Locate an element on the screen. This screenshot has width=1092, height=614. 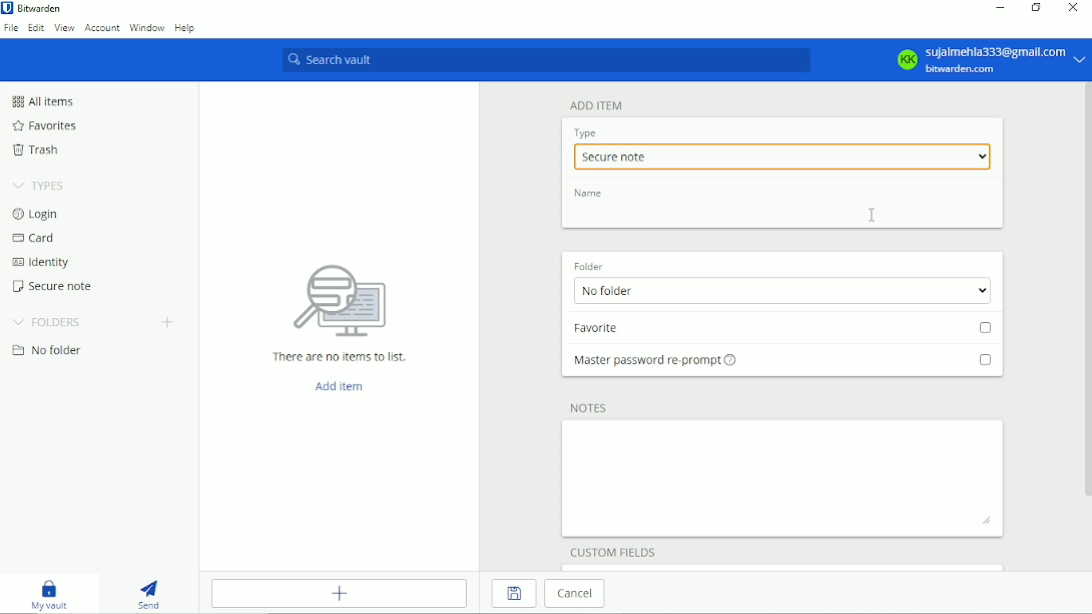
Identity is located at coordinates (40, 263).